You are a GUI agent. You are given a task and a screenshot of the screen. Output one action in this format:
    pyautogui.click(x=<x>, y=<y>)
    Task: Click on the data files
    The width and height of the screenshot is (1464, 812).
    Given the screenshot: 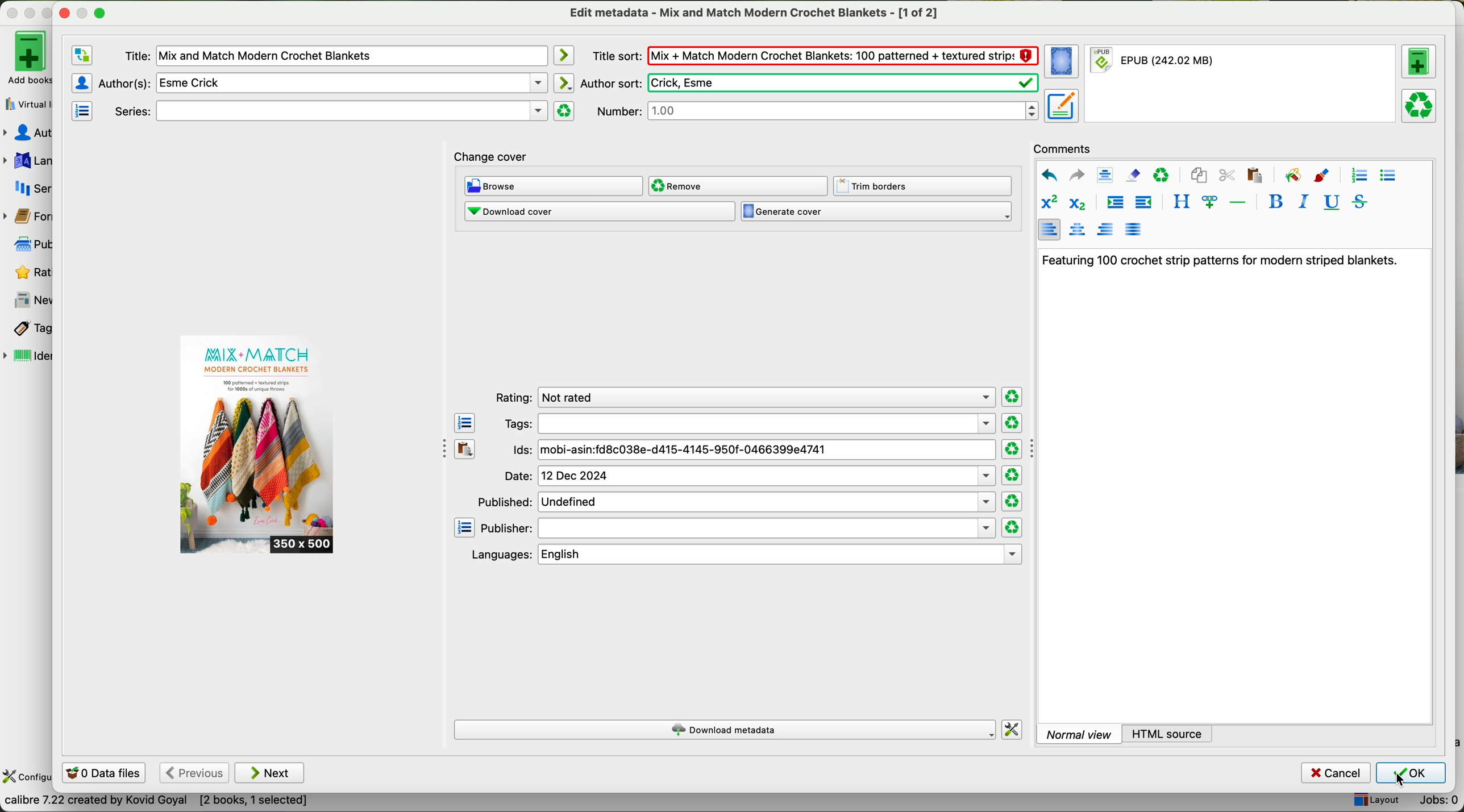 What is the action you would take?
    pyautogui.click(x=102, y=774)
    